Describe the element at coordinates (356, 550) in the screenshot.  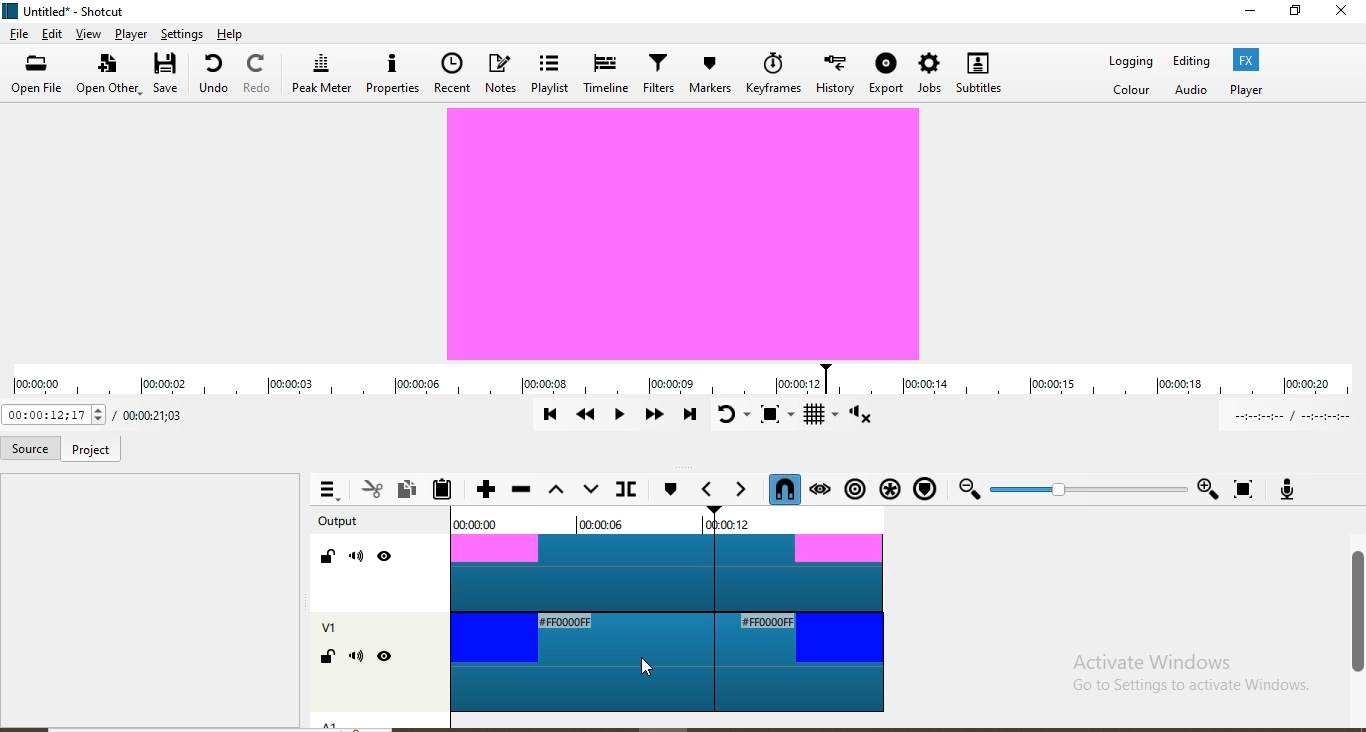
I see `Mute` at that location.